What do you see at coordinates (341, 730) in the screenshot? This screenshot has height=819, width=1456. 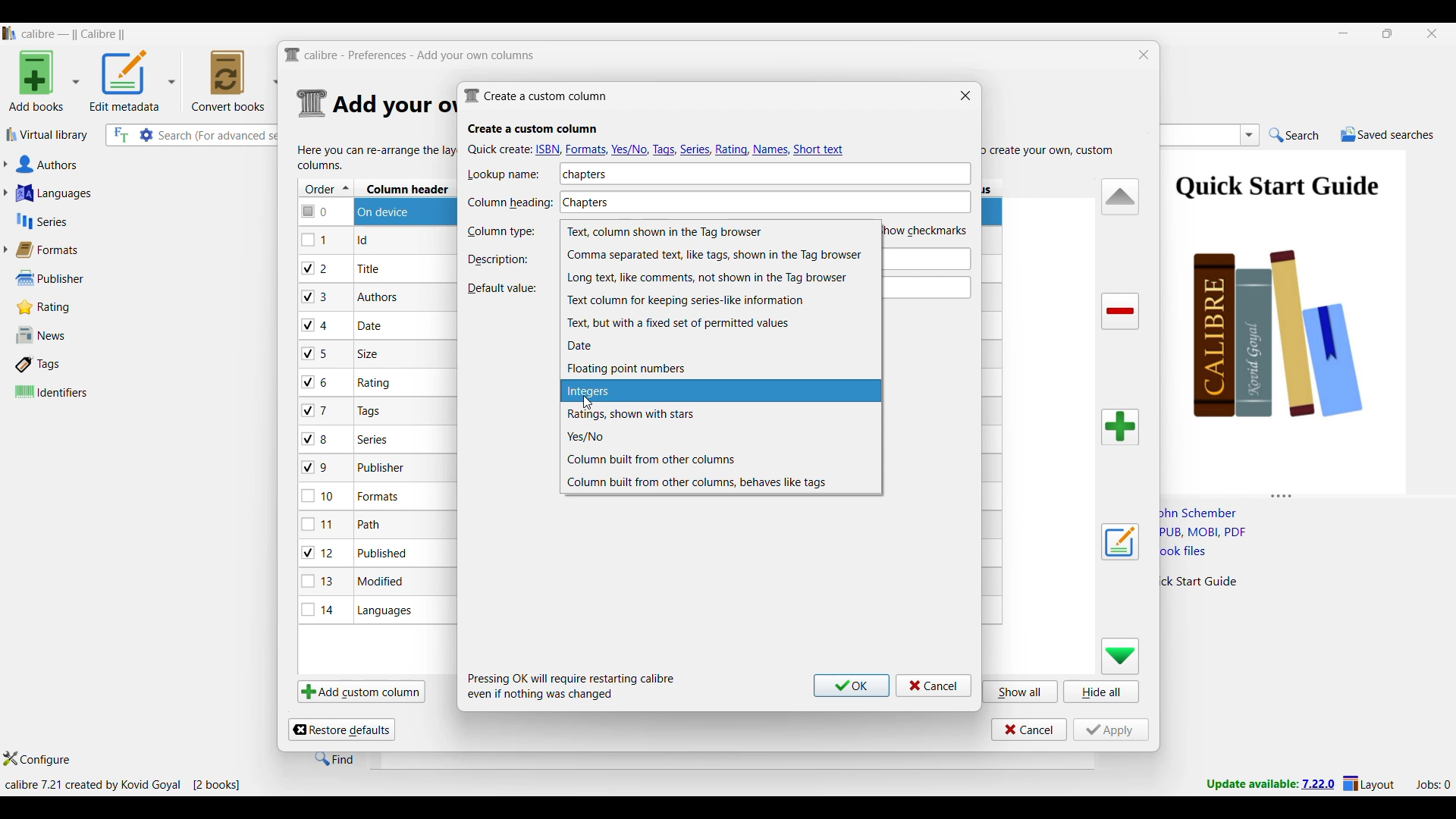 I see `Restore defaults` at bounding box center [341, 730].